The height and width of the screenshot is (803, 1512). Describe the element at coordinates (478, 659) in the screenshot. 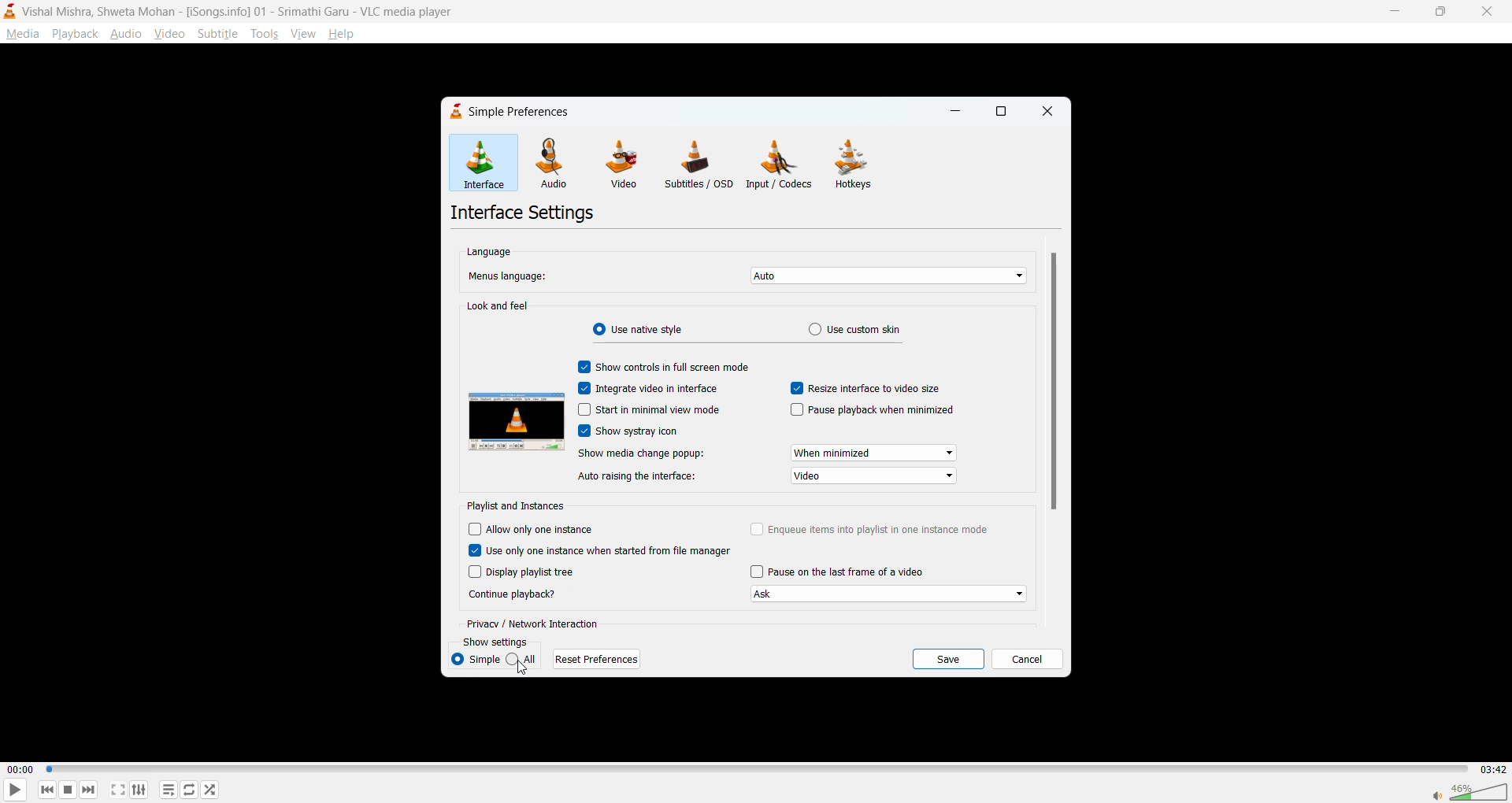

I see `simple` at that location.